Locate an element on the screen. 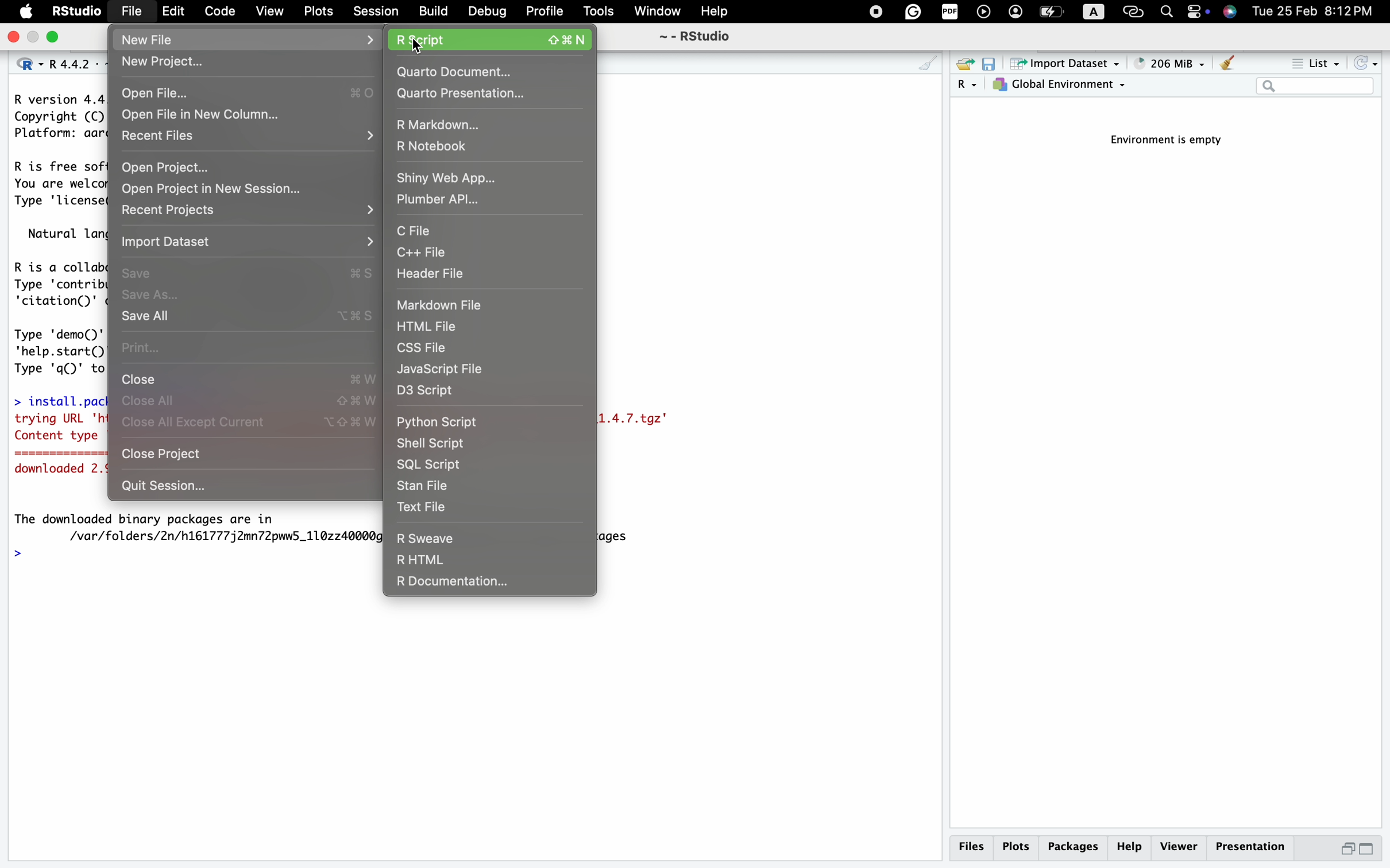  python script is located at coordinates (461, 420).